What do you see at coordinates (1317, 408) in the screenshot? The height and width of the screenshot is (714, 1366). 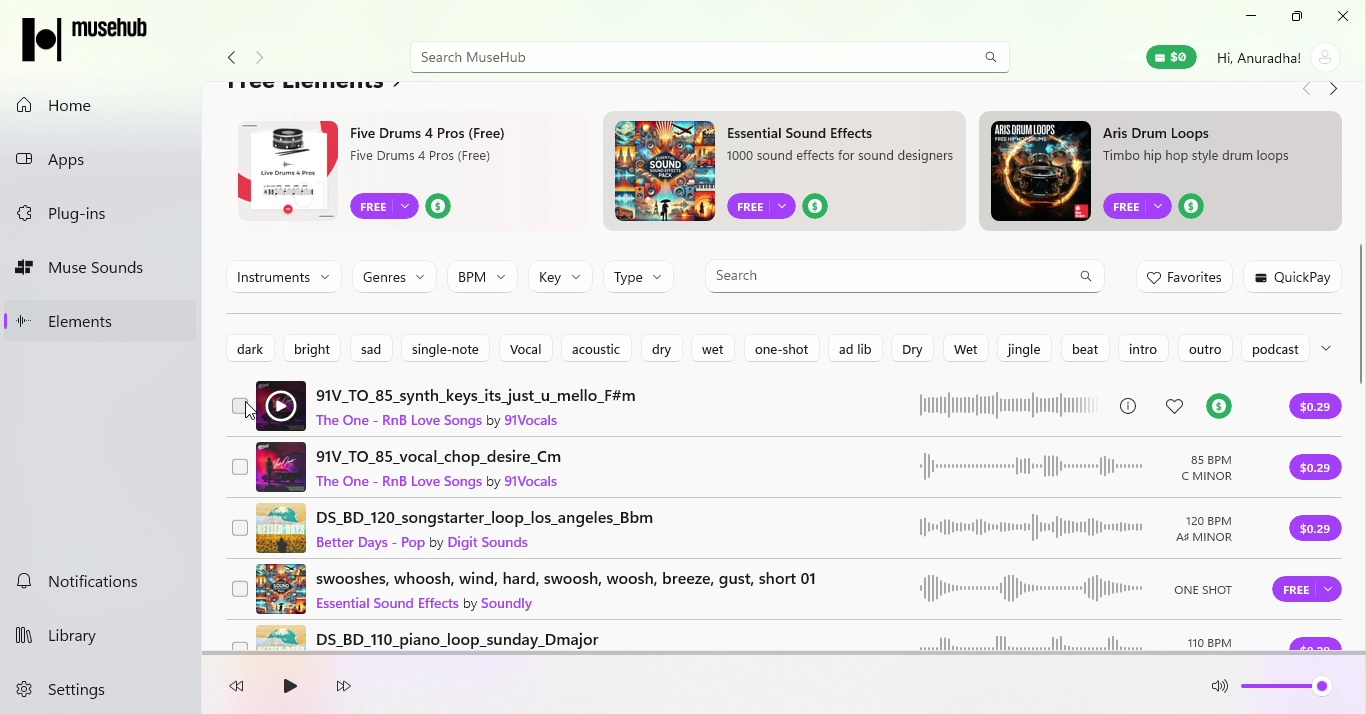 I see `Purchase` at bounding box center [1317, 408].